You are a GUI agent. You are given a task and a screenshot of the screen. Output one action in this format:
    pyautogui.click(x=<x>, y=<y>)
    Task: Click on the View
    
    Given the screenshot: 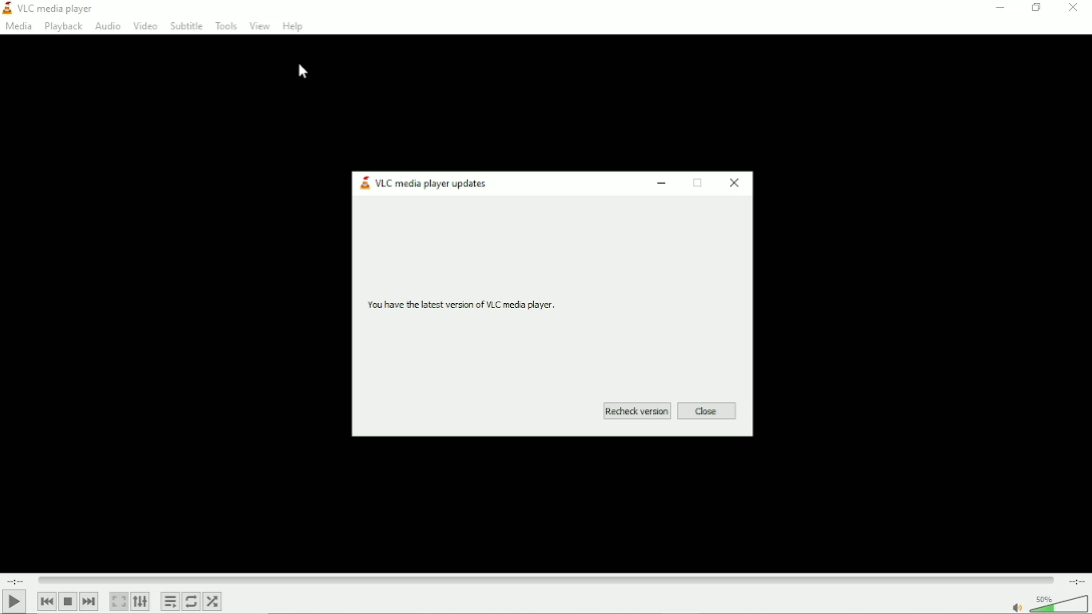 What is the action you would take?
    pyautogui.click(x=260, y=25)
    